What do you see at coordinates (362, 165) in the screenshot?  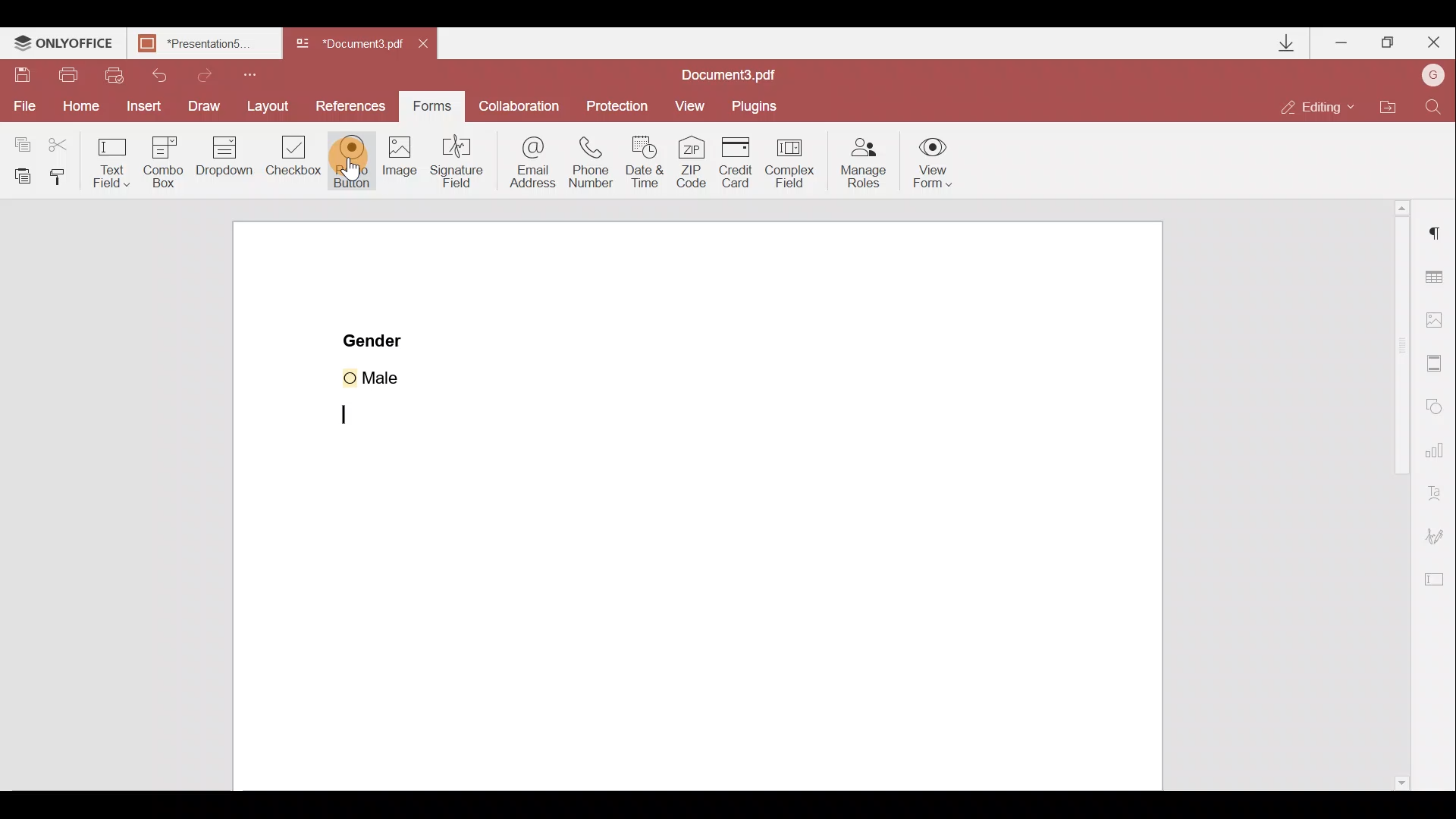 I see `Cursor` at bounding box center [362, 165].